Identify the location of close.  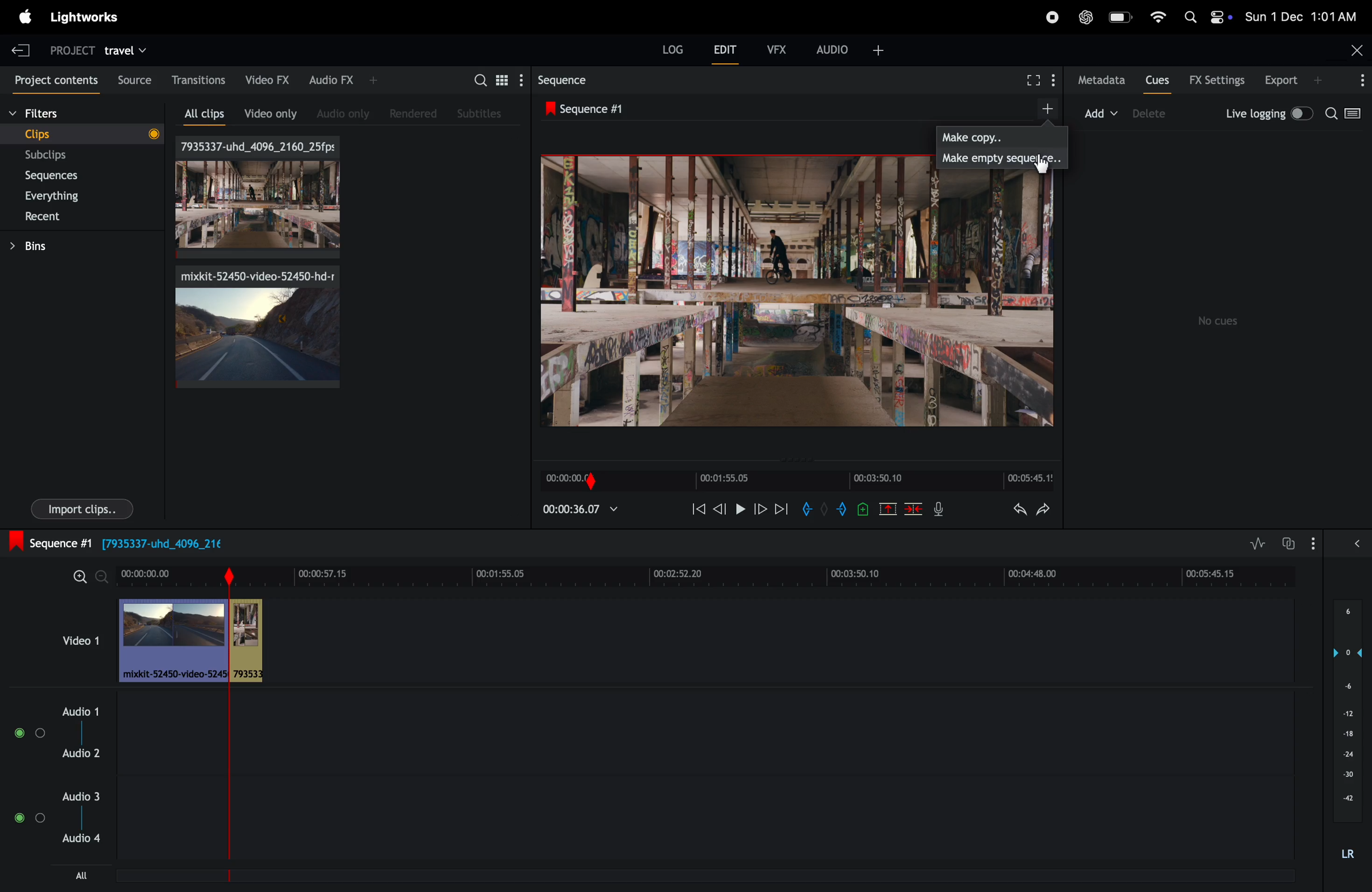
(1357, 48).